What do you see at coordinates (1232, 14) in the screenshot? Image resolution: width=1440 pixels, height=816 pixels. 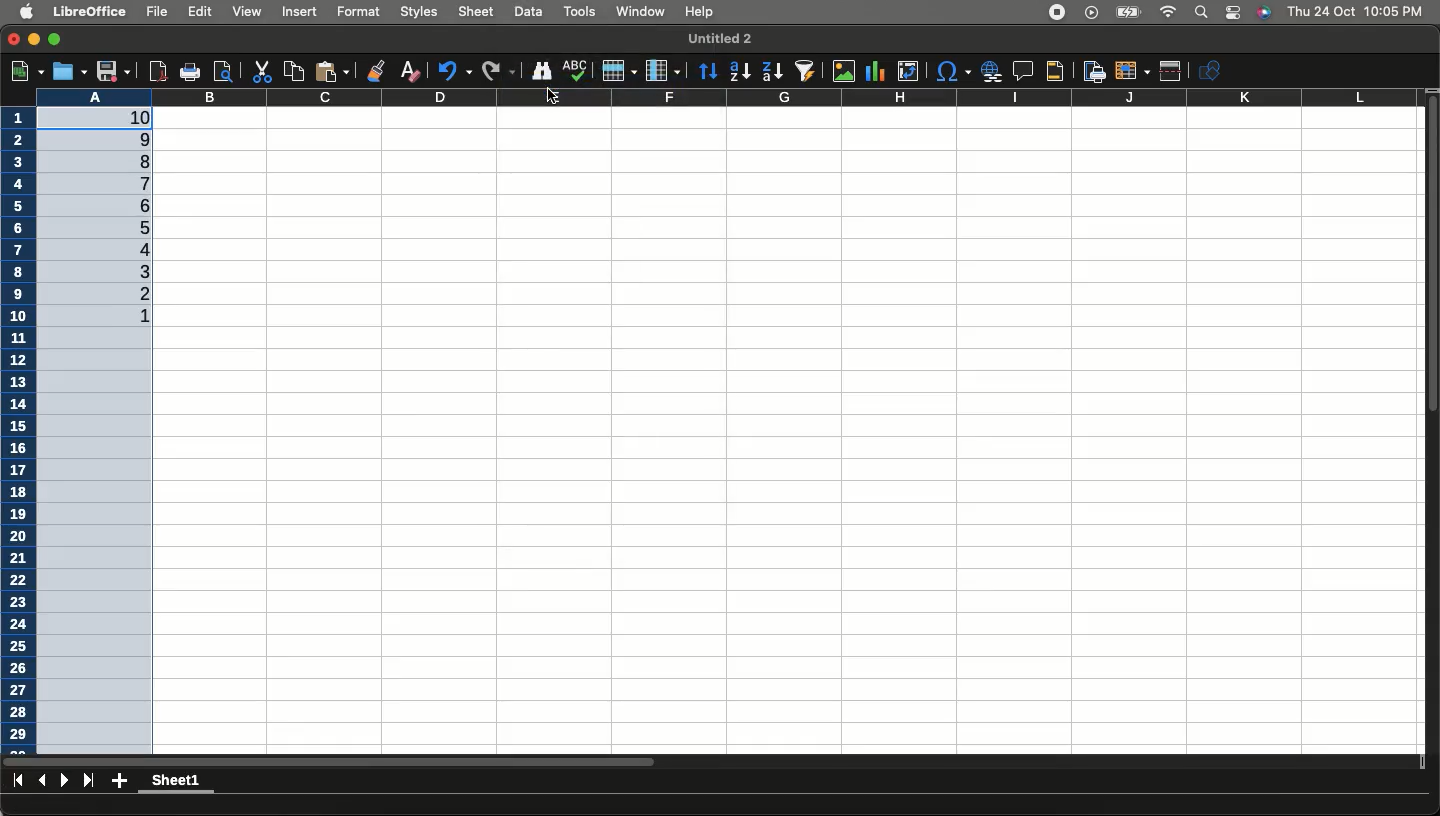 I see `Notification bar` at bounding box center [1232, 14].